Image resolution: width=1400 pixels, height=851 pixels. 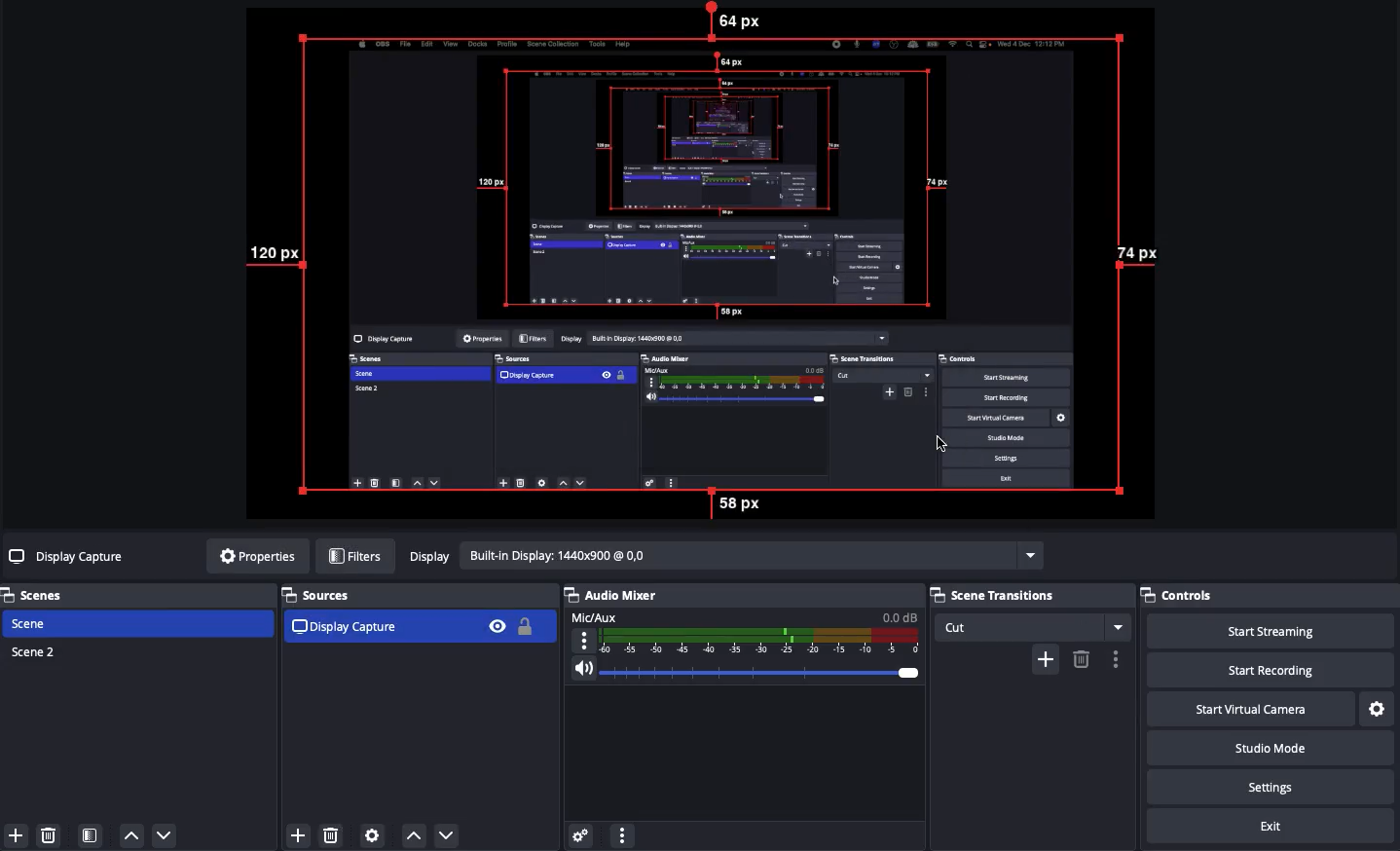 What do you see at coordinates (131, 836) in the screenshot?
I see `Move up` at bounding box center [131, 836].